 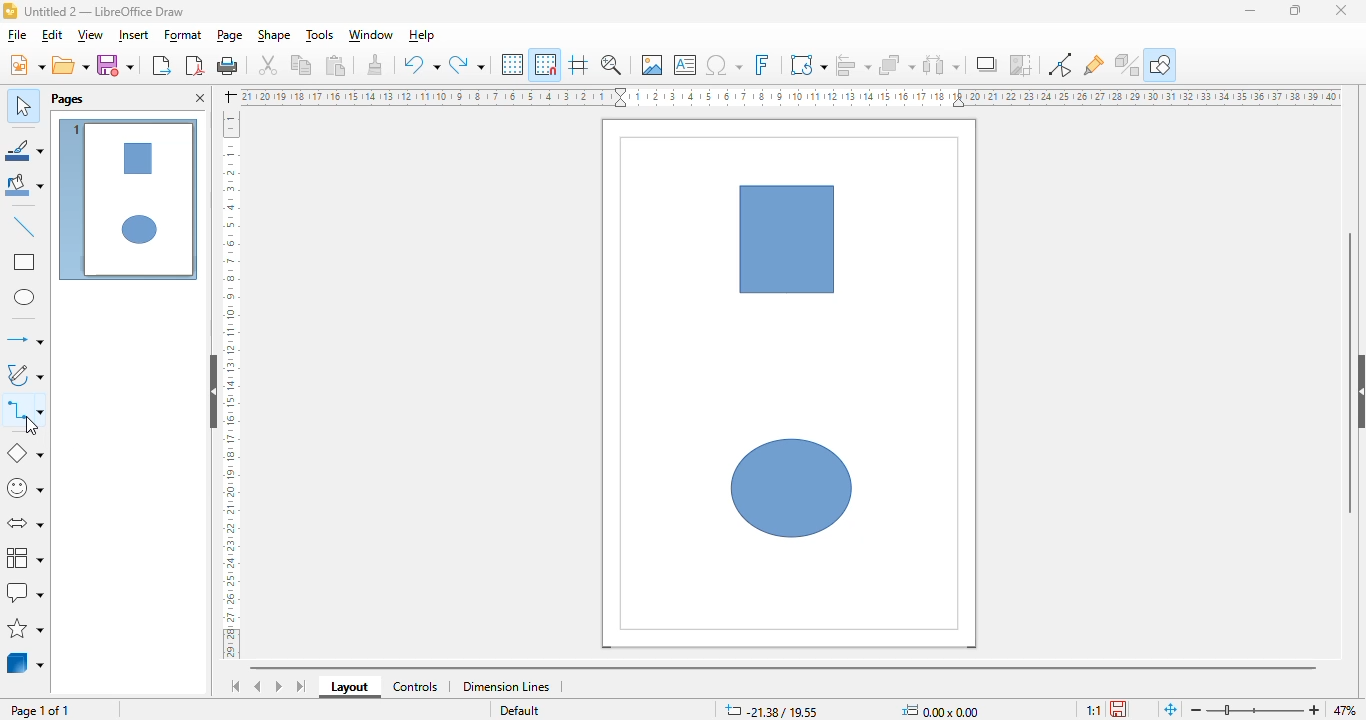 What do you see at coordinates (273, 35) in the screenshot?
I see `shape` at bounding box center [273, 35].